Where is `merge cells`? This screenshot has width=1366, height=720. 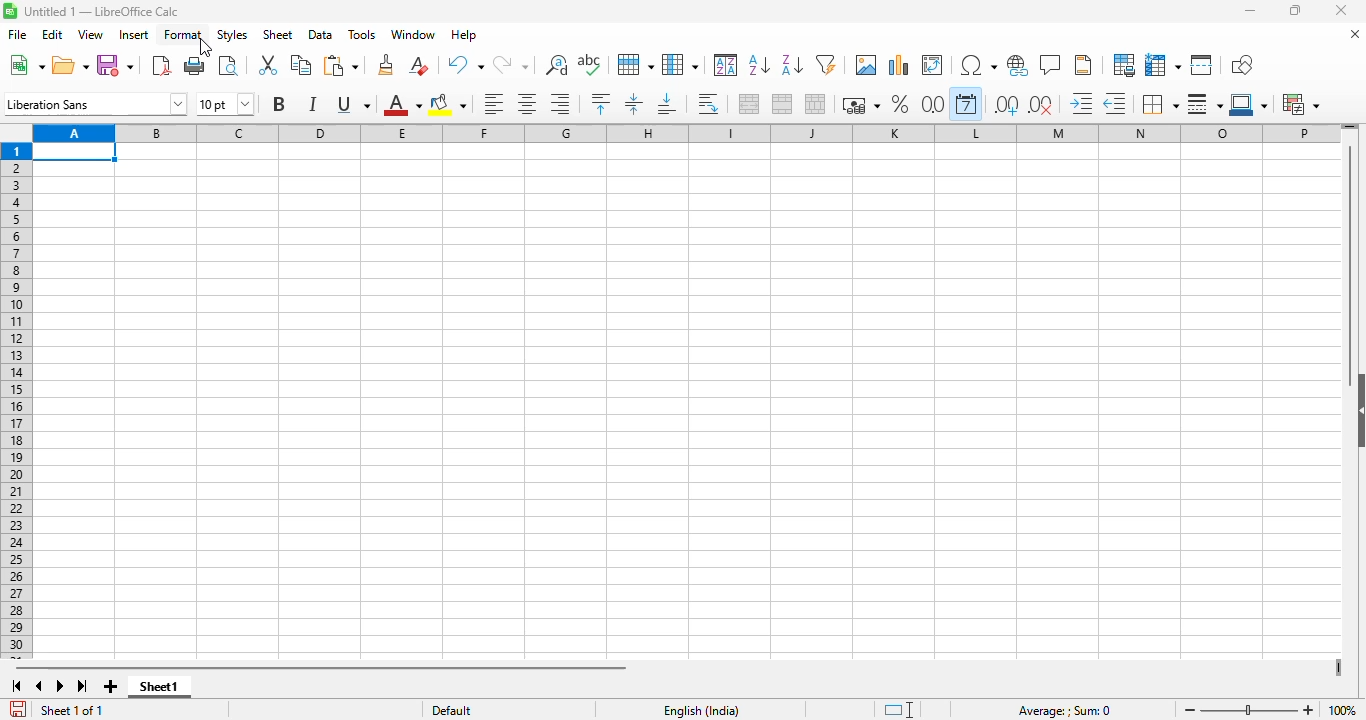
merge cells is located at coordinates (782, 104).